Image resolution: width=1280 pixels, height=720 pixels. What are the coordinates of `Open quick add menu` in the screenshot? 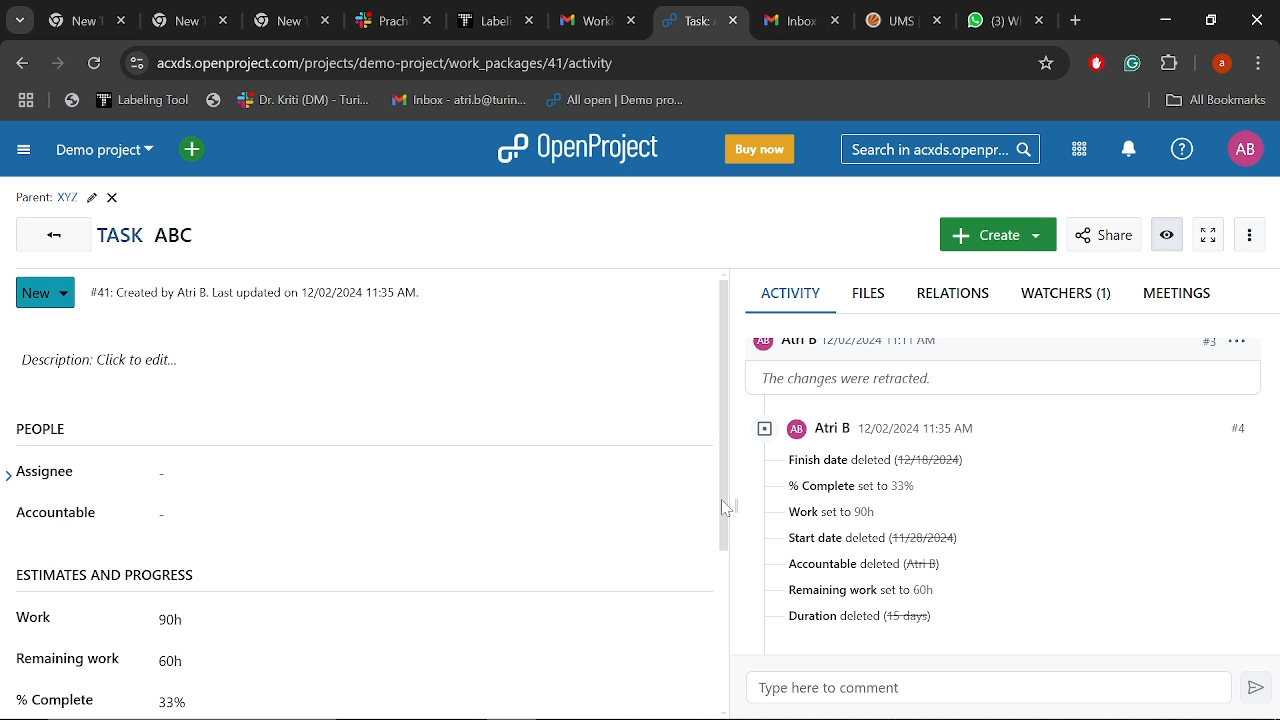 It's located at (194, 152).